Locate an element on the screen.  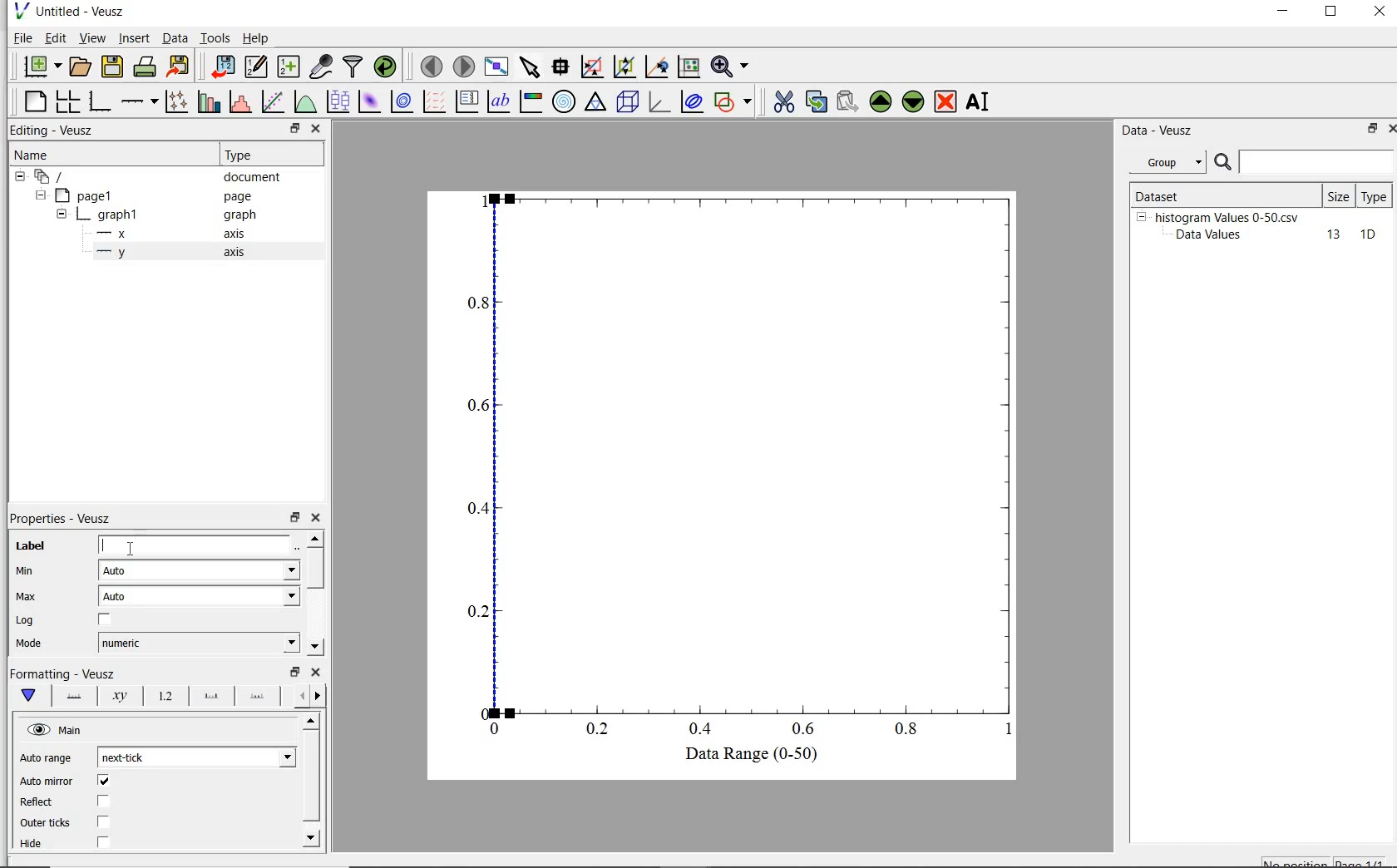
polar graph is located at coordinates (564, 101).